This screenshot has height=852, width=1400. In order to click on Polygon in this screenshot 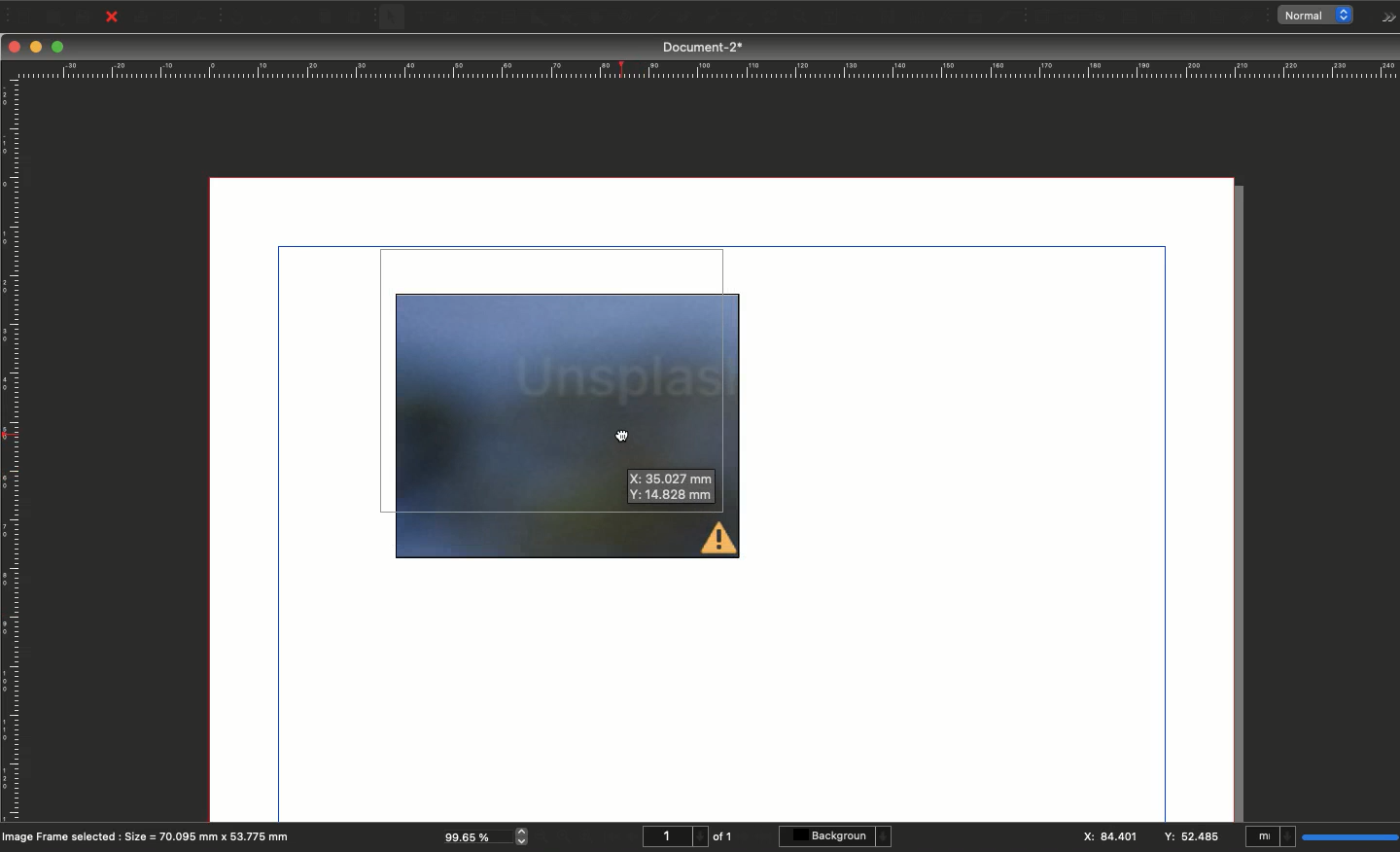, I will do `click(567, 18)`.